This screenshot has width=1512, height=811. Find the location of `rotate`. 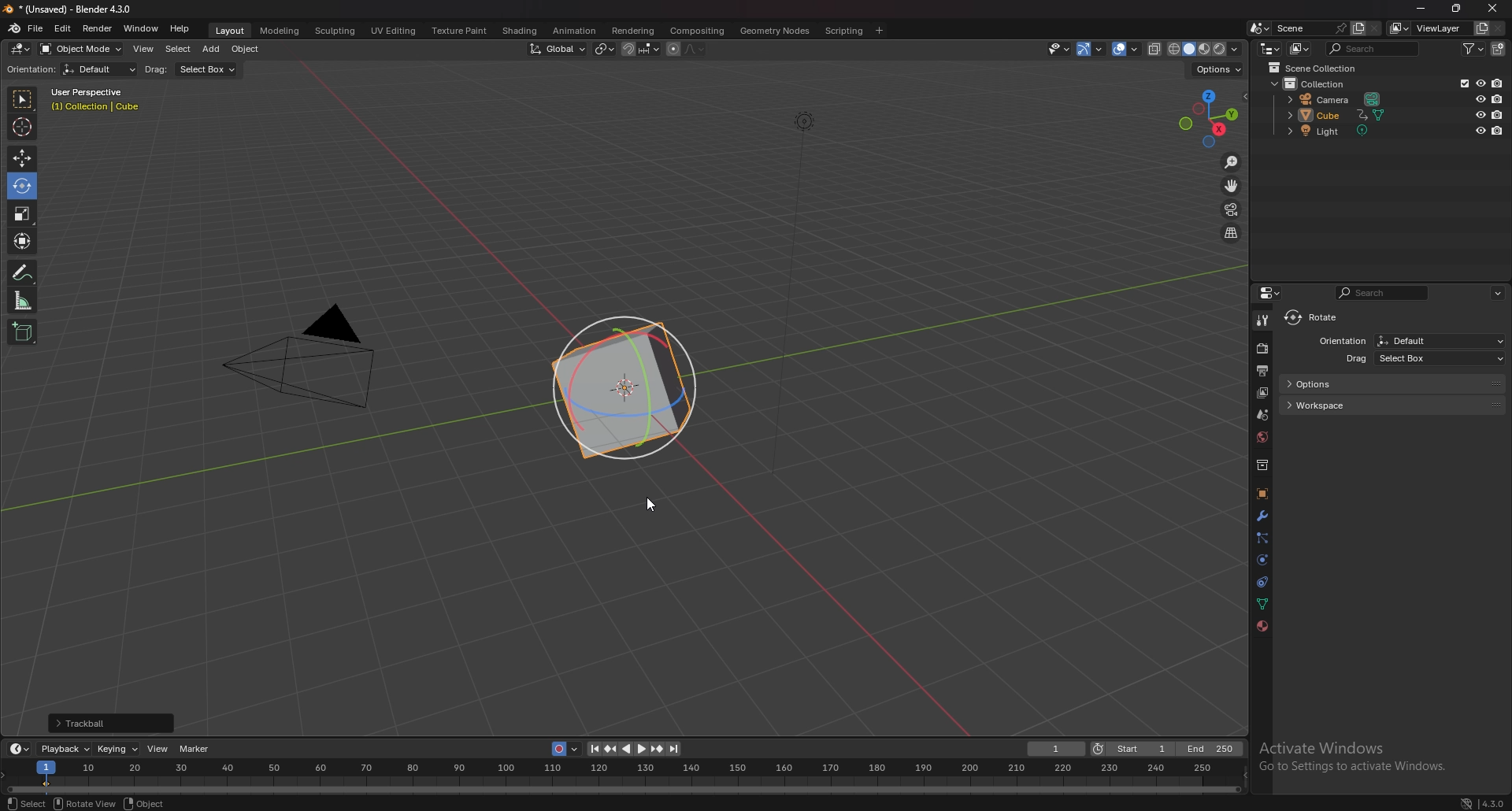

rotate is located at coordinates (21, 185).